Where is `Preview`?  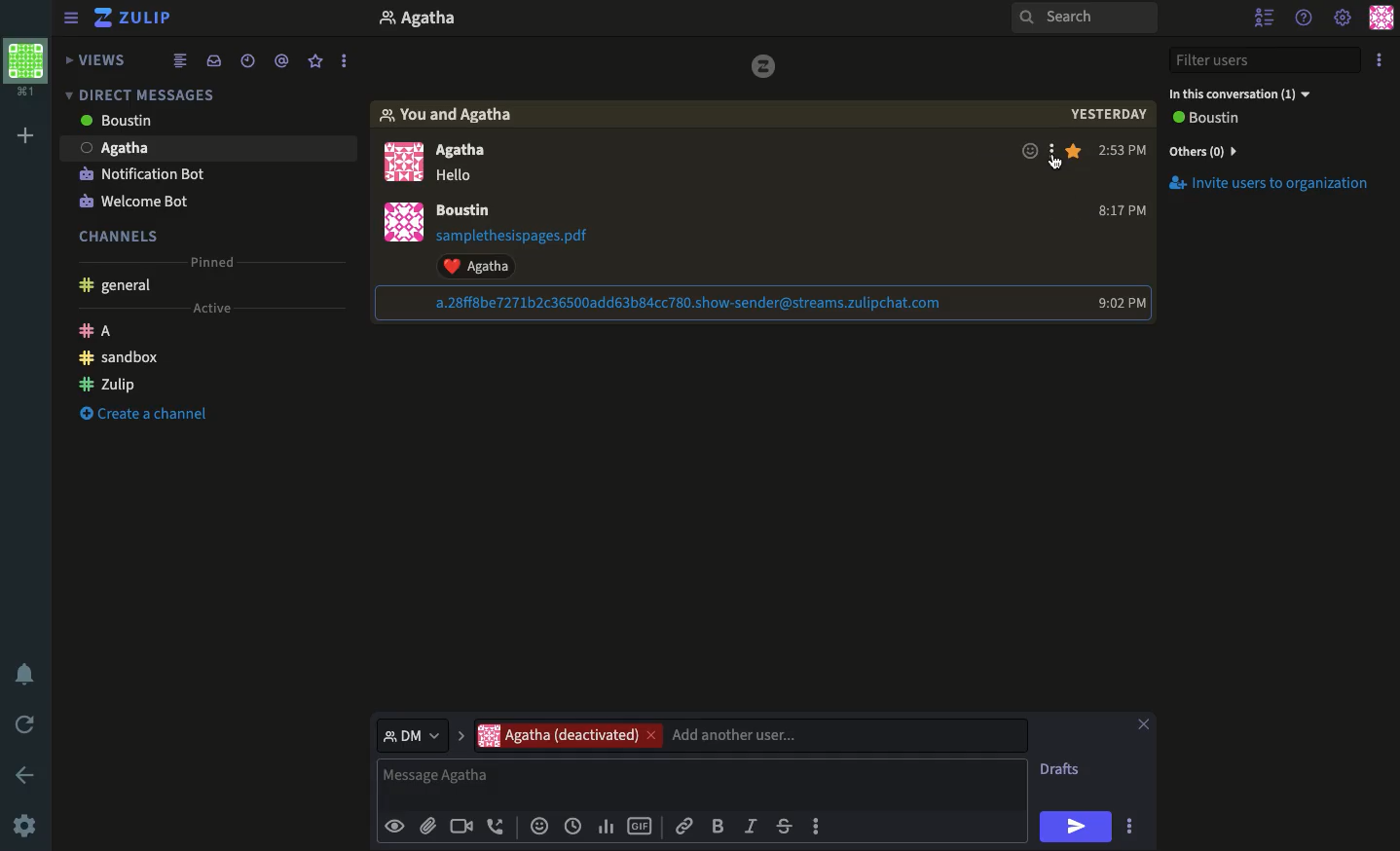 Preview is located at coordinates (394, 825).